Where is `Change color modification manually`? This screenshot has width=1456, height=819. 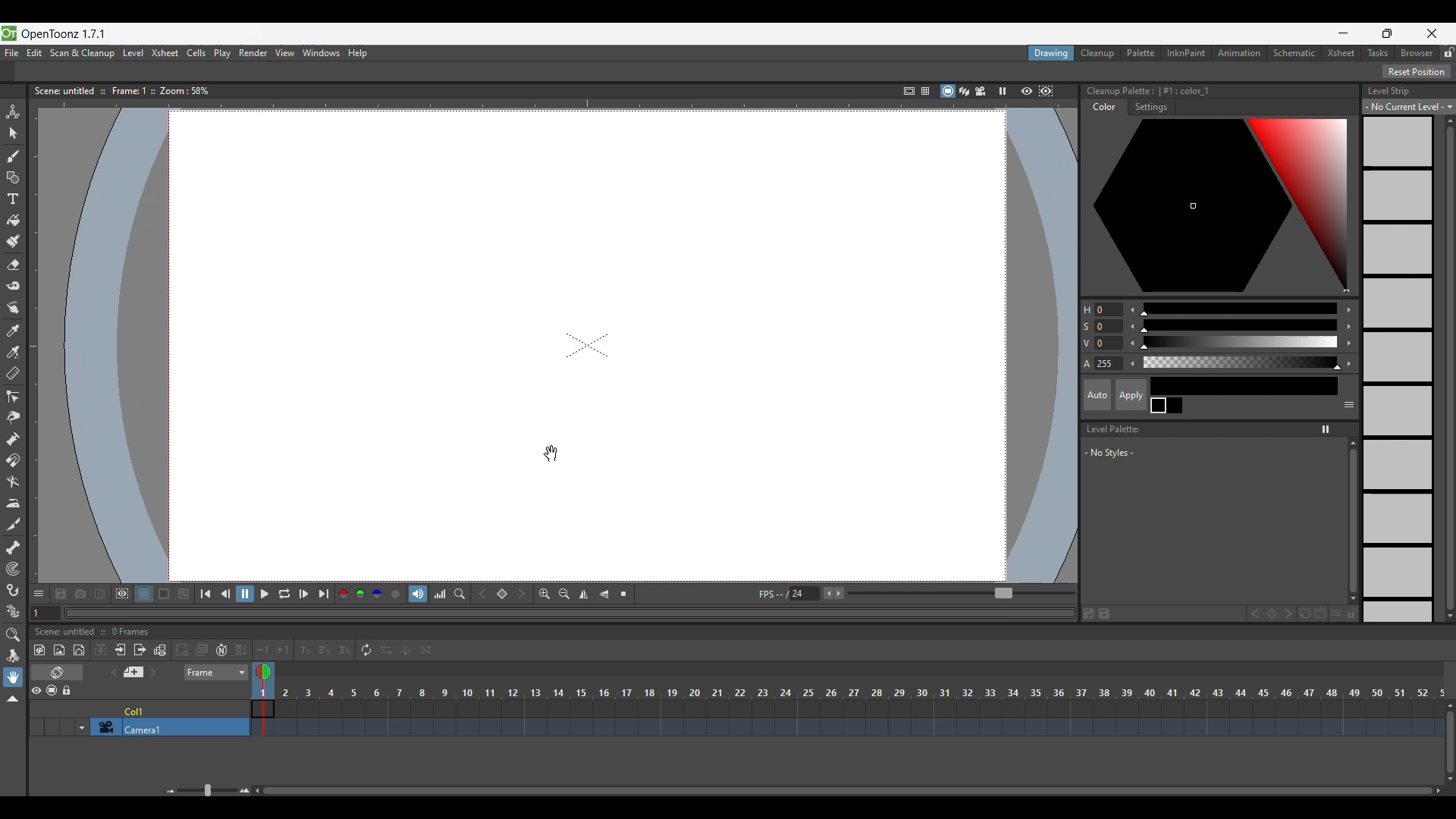 Change color modification manually is located at coordinates (1108, 336).